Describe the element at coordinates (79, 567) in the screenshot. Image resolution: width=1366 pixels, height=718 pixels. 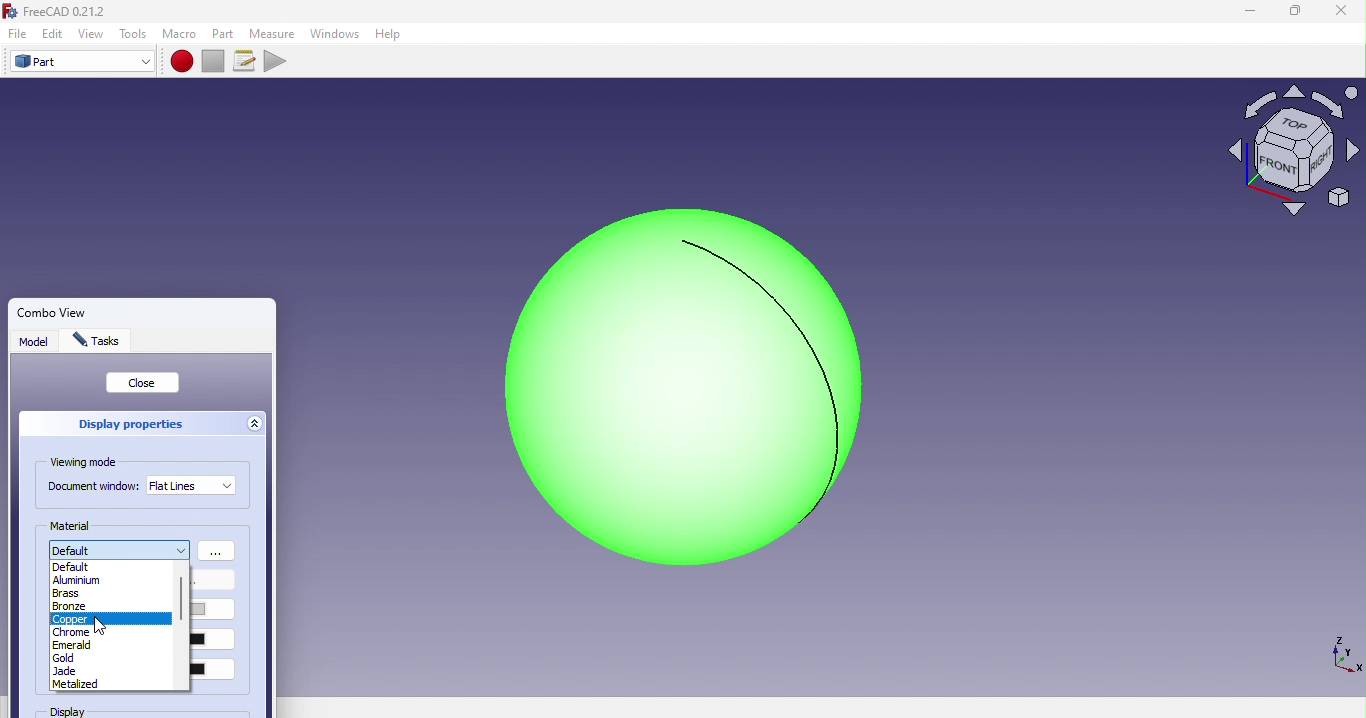
I see `Default` at that location.